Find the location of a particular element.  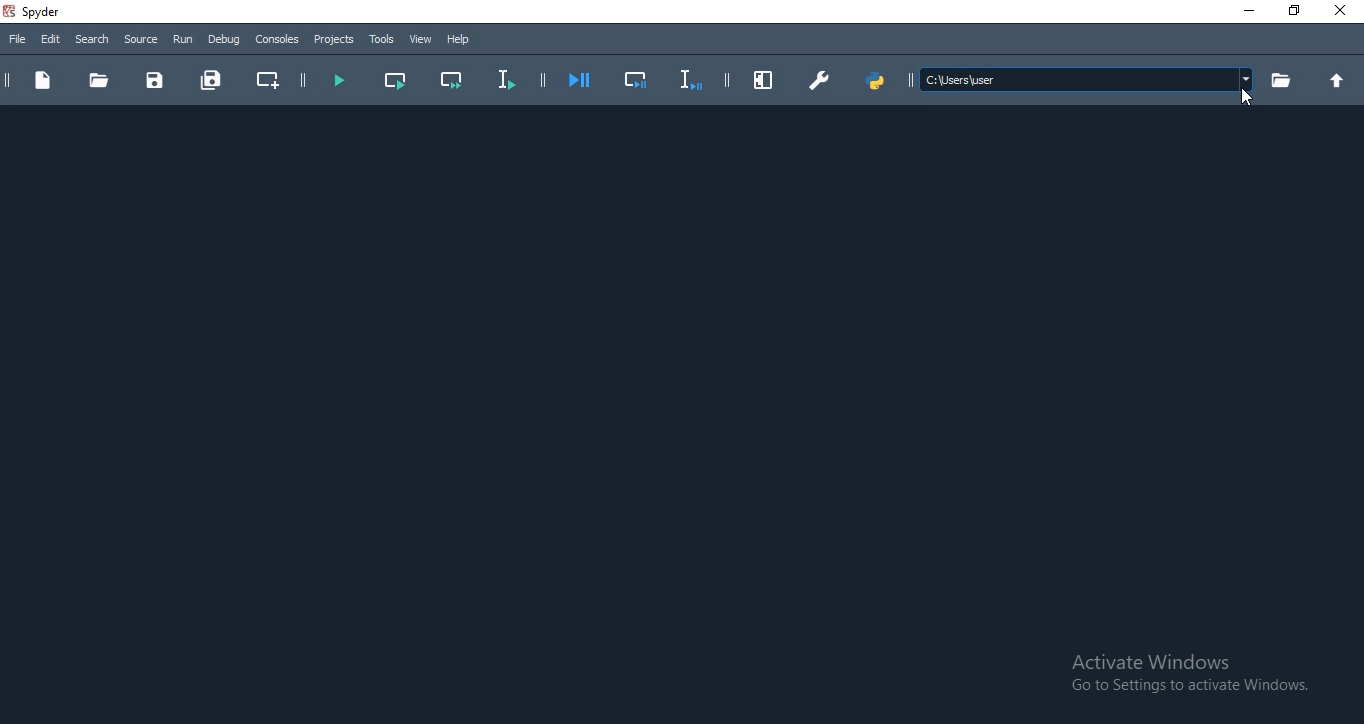

Restore is located at coordinates (1294, 12).